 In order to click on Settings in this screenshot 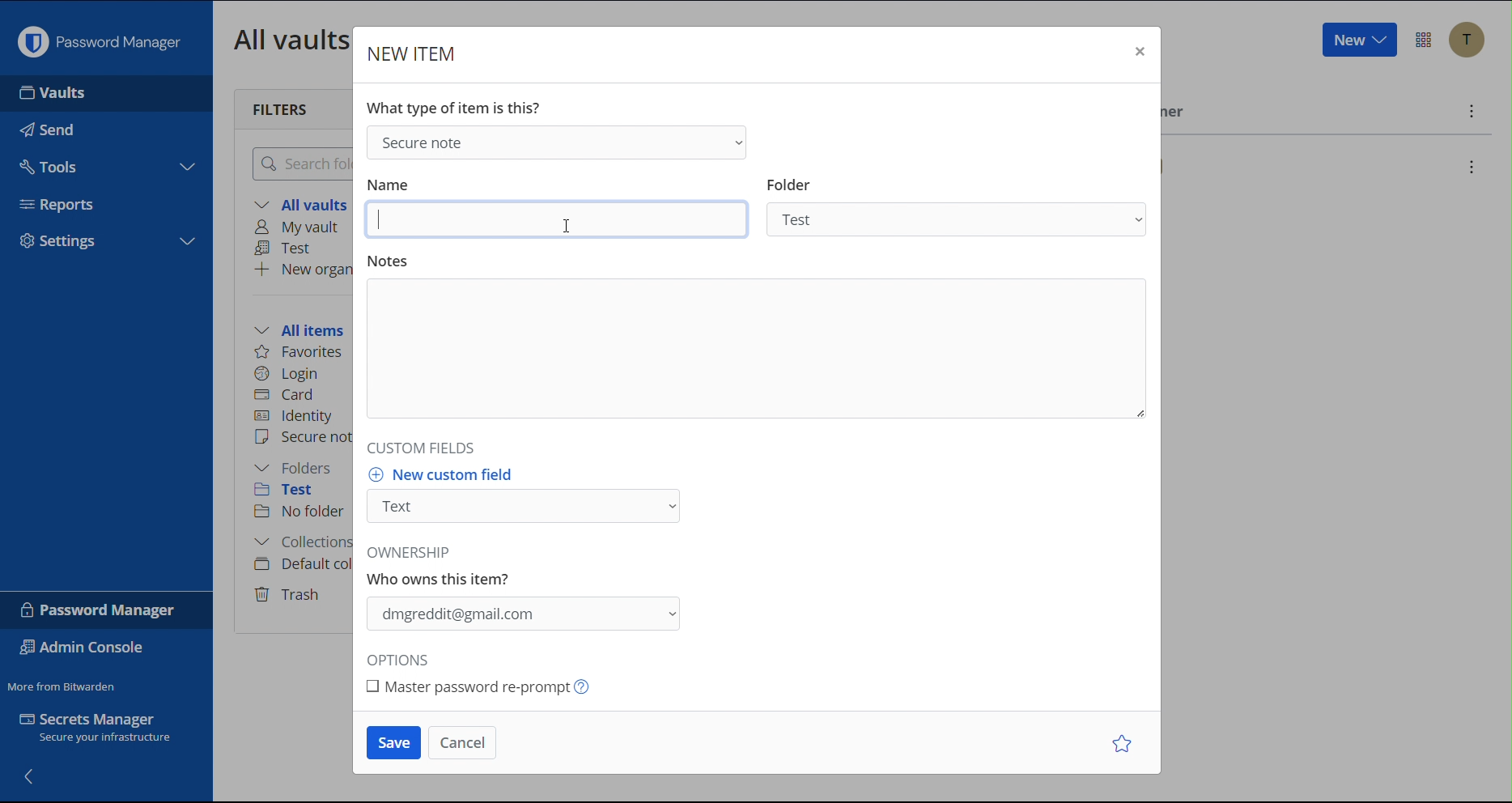, I will do `click(60, 243)`.